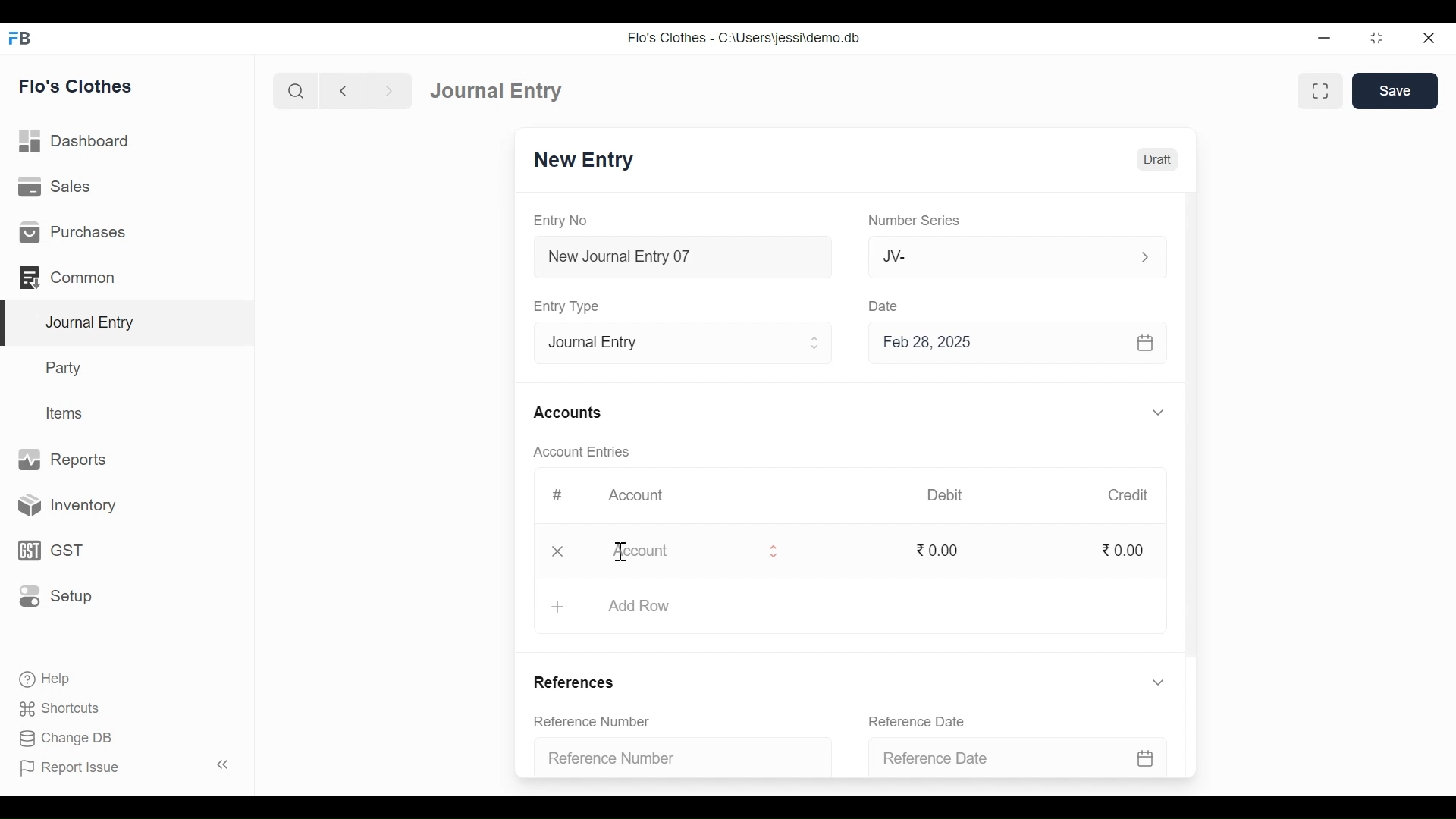  Describe the element at coordinates (579, 681) in the screenshot. I see `References` at that location.